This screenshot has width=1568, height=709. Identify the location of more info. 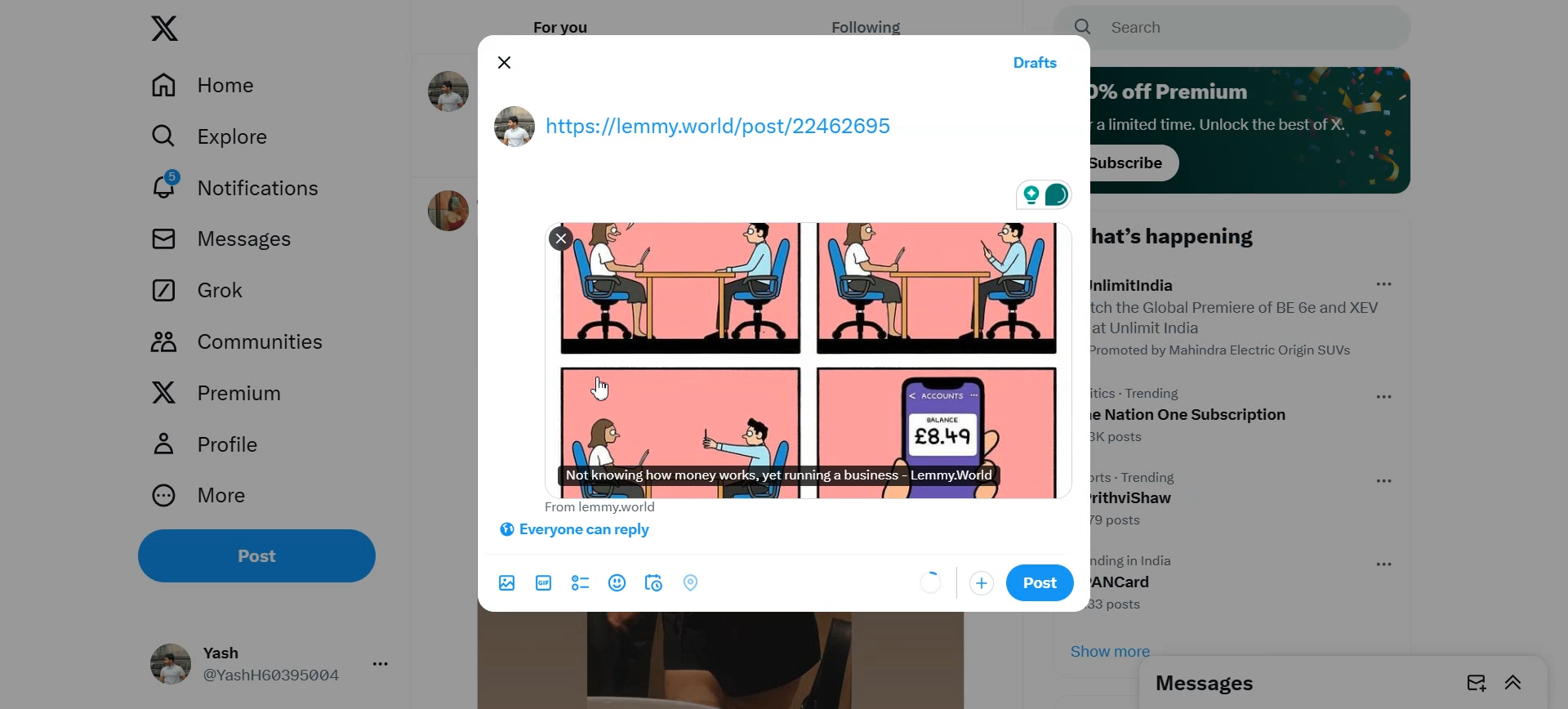
(202, 497).